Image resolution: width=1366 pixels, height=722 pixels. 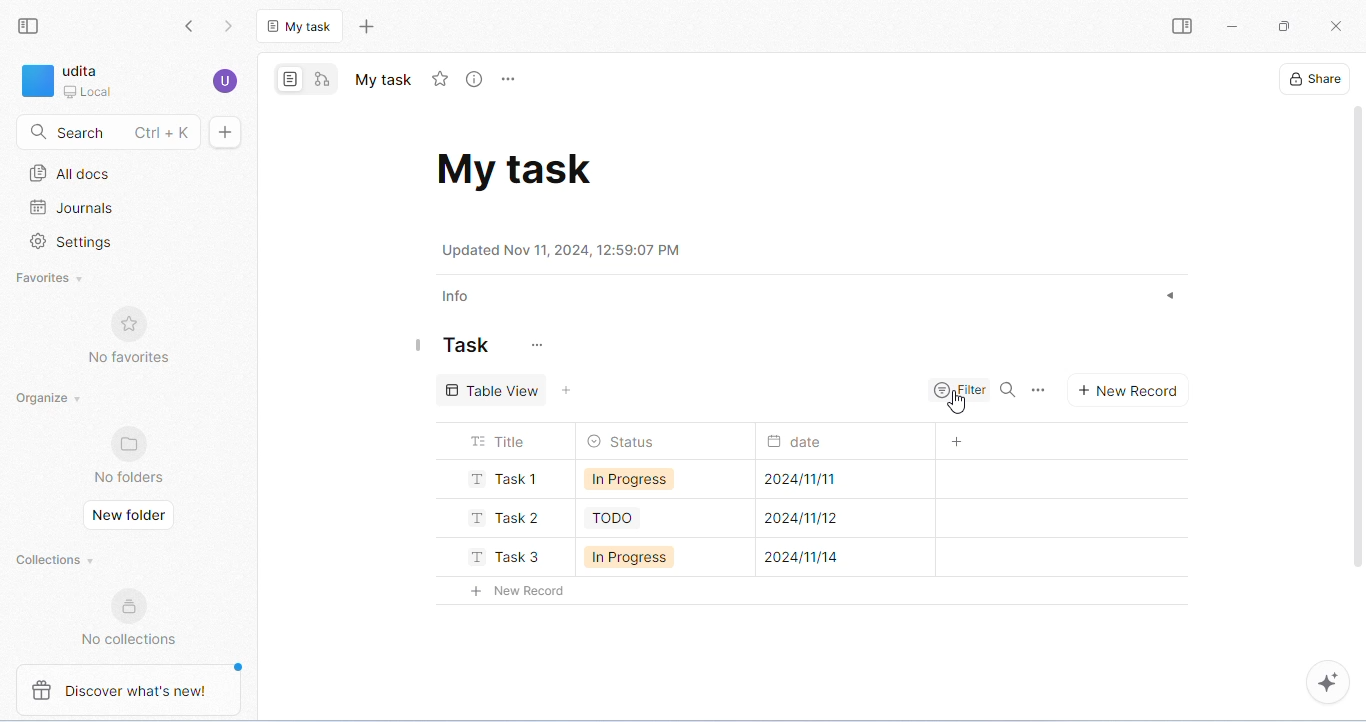 What do you see at coordinates (512, 590) in the screenshot?
I see `new record` at bounding box center [512, 590].